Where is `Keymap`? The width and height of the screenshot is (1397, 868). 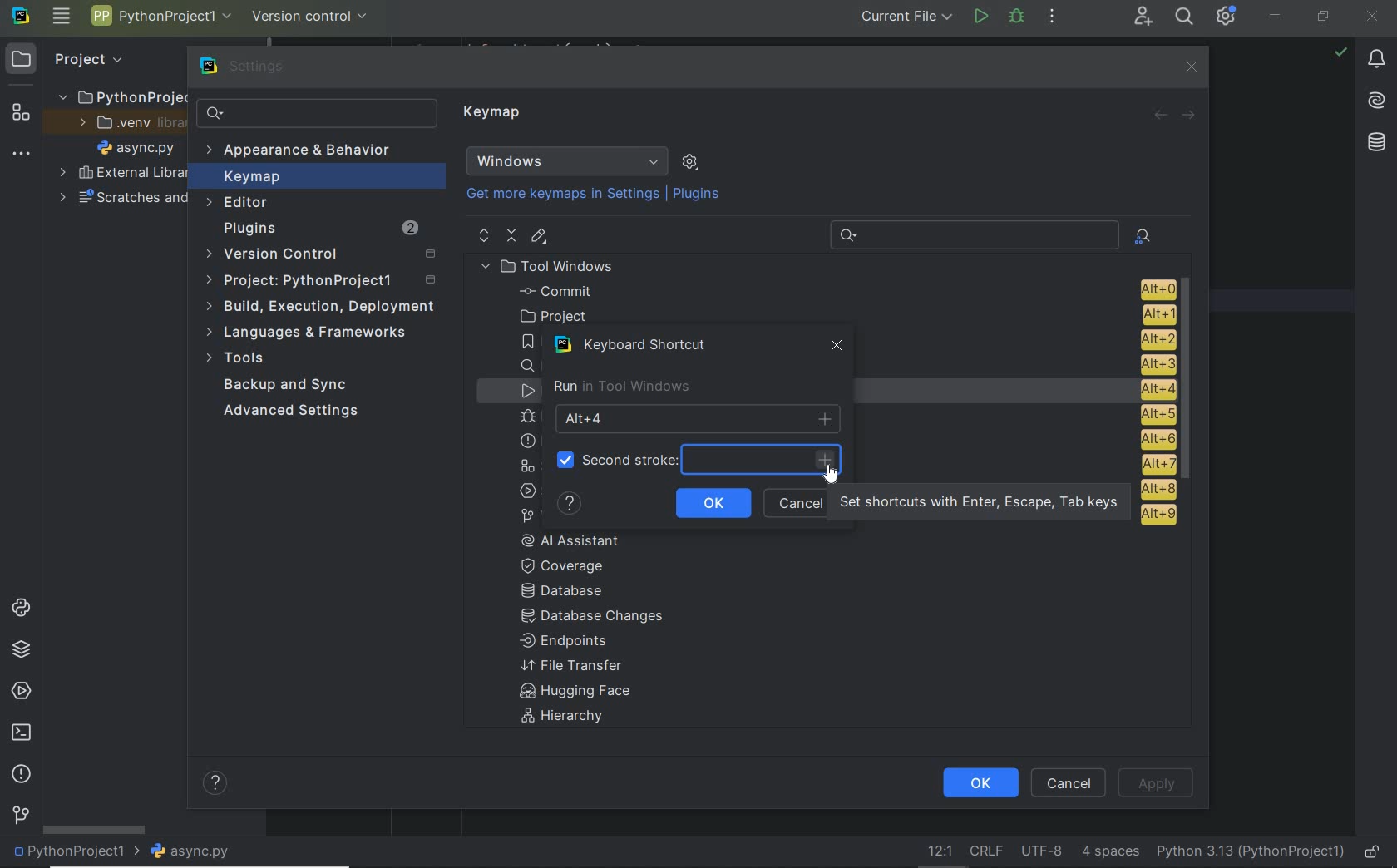 Keymap is located at coordinates (317, 176).